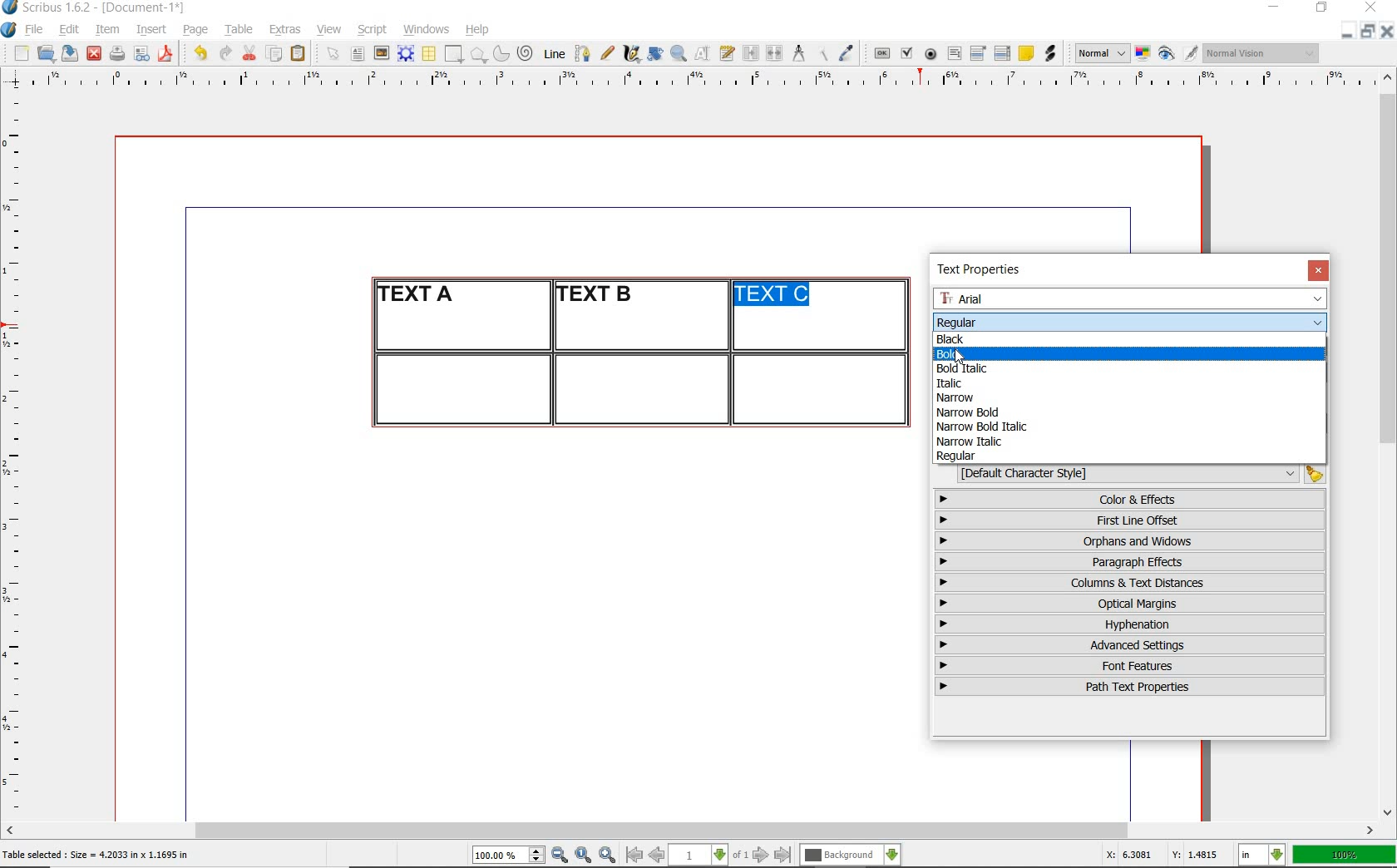 The image size is (1397, 868). Describe the element at coordinates (430, 54) in the screenshot. I see `table` at that location.